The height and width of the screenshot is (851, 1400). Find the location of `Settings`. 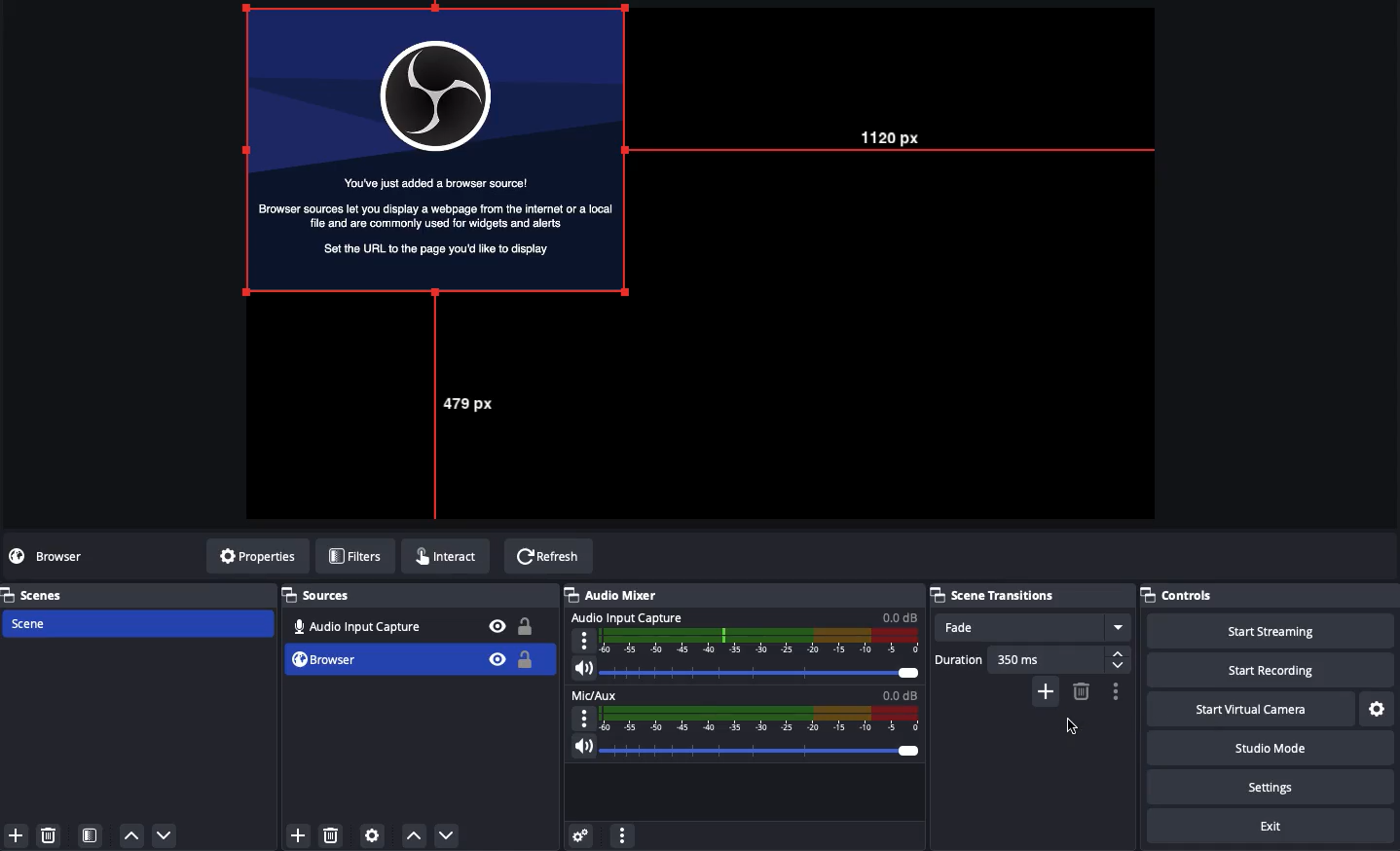

Settings is located at coordinates (1376, 710).